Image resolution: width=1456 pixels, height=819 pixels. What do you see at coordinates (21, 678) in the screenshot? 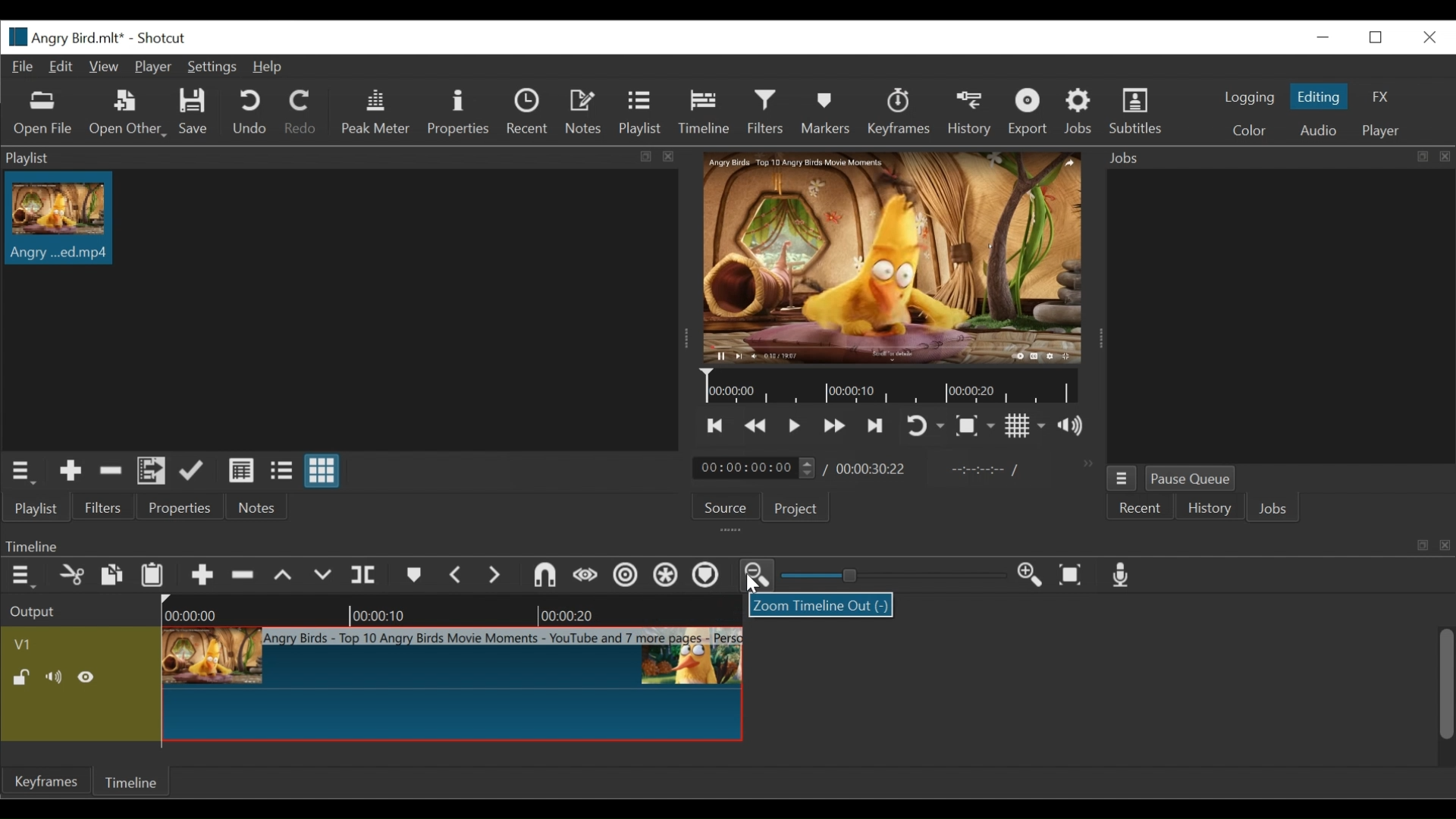
I see `(un)lock track` at bounding box center [21, 678].